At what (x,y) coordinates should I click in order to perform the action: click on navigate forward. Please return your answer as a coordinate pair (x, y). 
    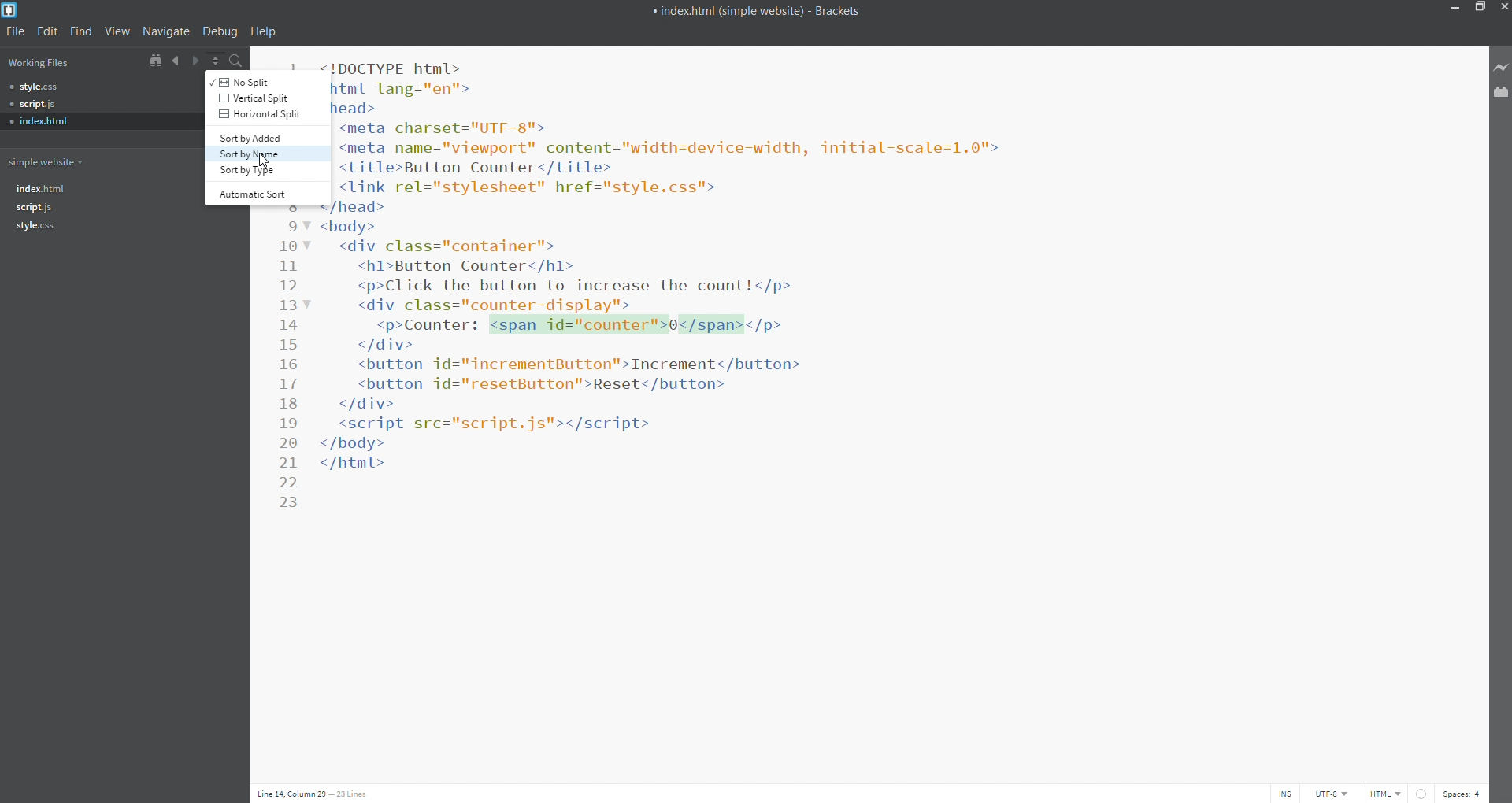
    Looking at the image, I should click on (196, 61).